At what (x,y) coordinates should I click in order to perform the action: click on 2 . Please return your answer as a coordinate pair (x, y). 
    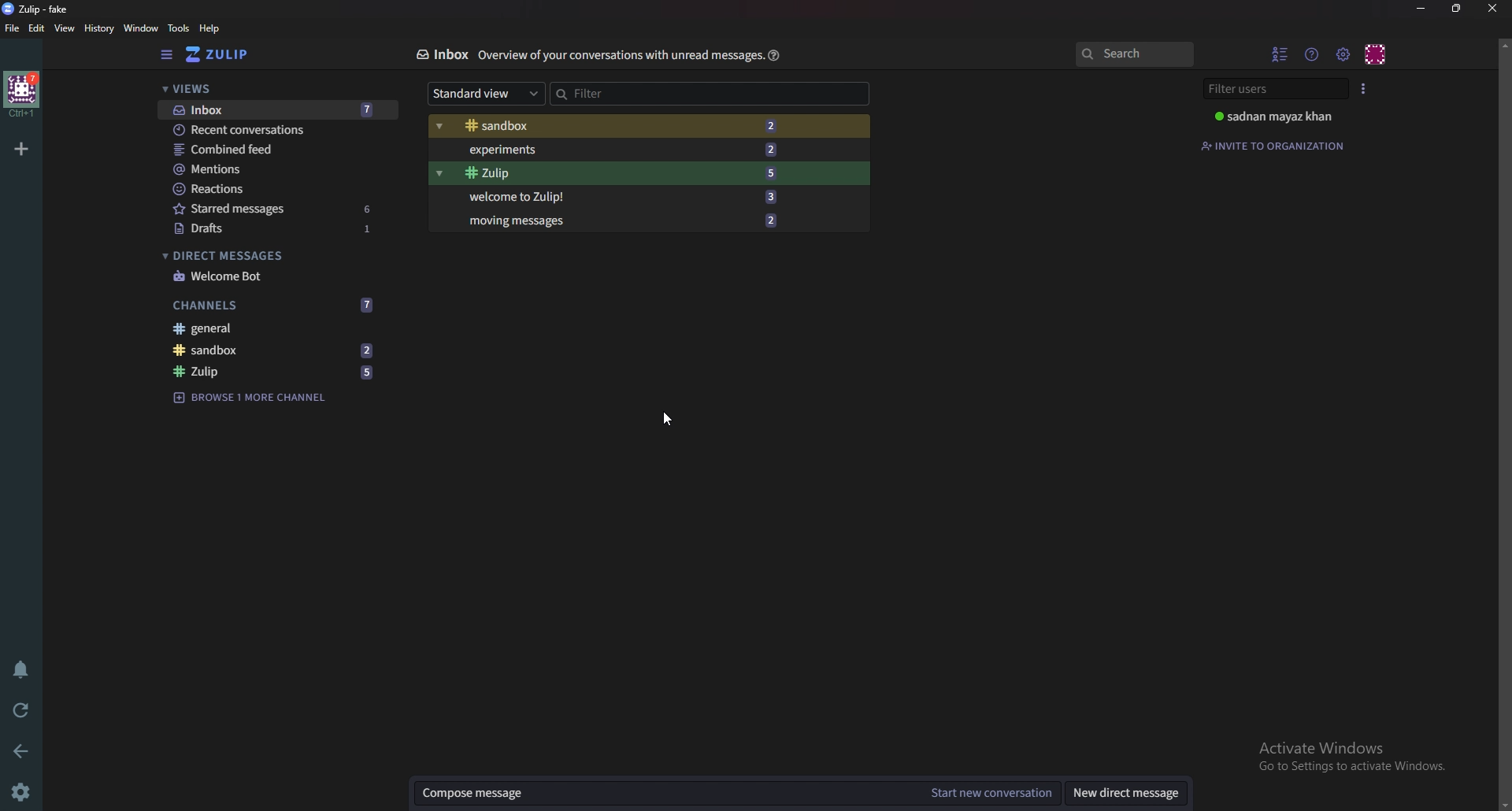
    Looking at the image, I should click on (775, 125).